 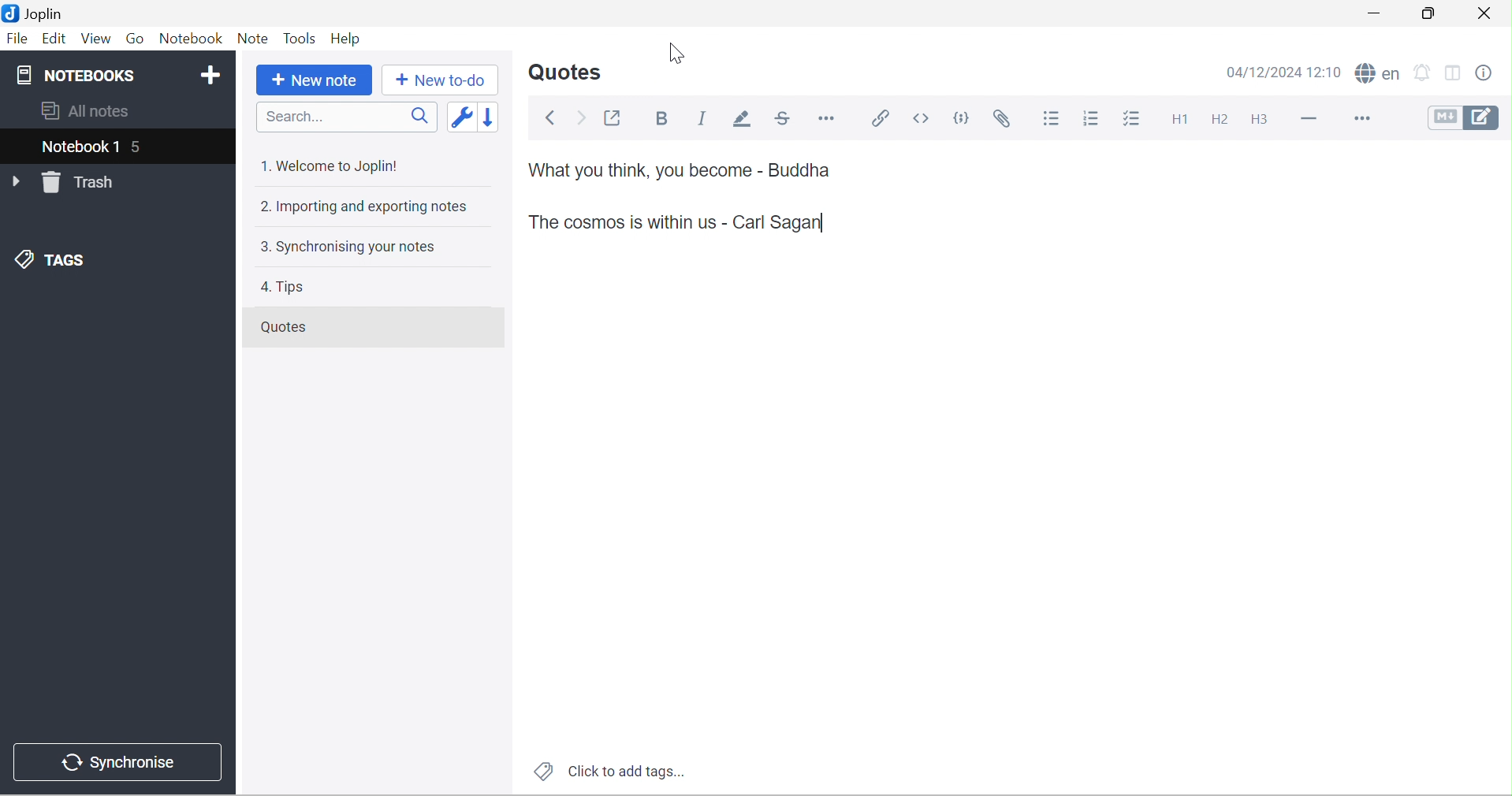 I want to click on Heading 1, so click(x=1178, y=122).